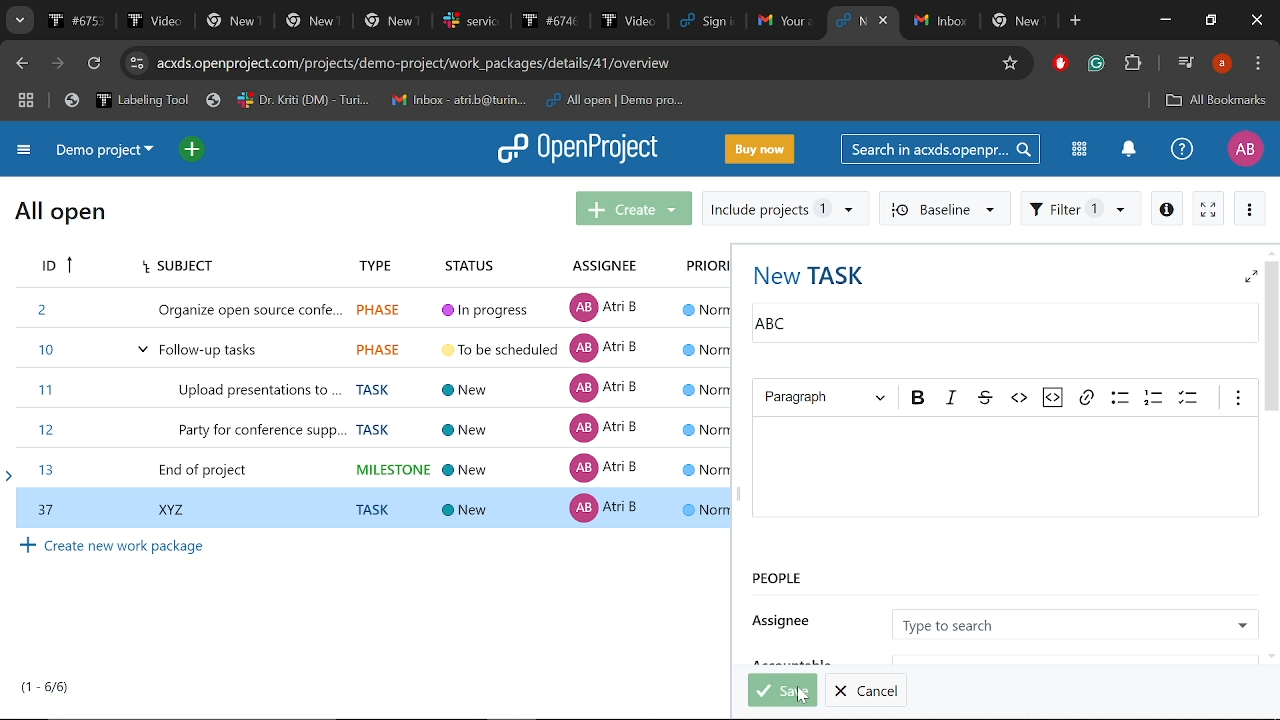 The image size is (1280, 720). Describe the element at coordinates (25, 153) in the screenshot. I see `Expand project menu` at that location.